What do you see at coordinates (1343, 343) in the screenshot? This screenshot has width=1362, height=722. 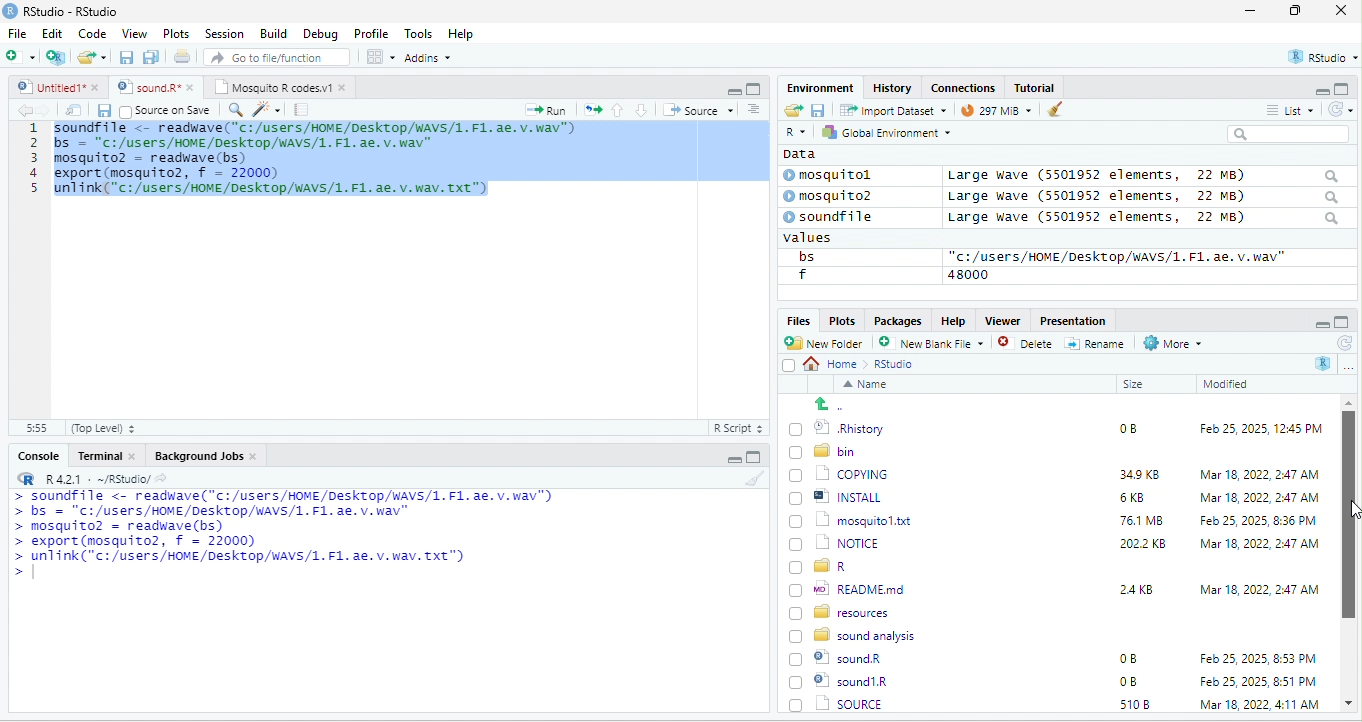 I see `refresh` at bounding box center [1343, 343].